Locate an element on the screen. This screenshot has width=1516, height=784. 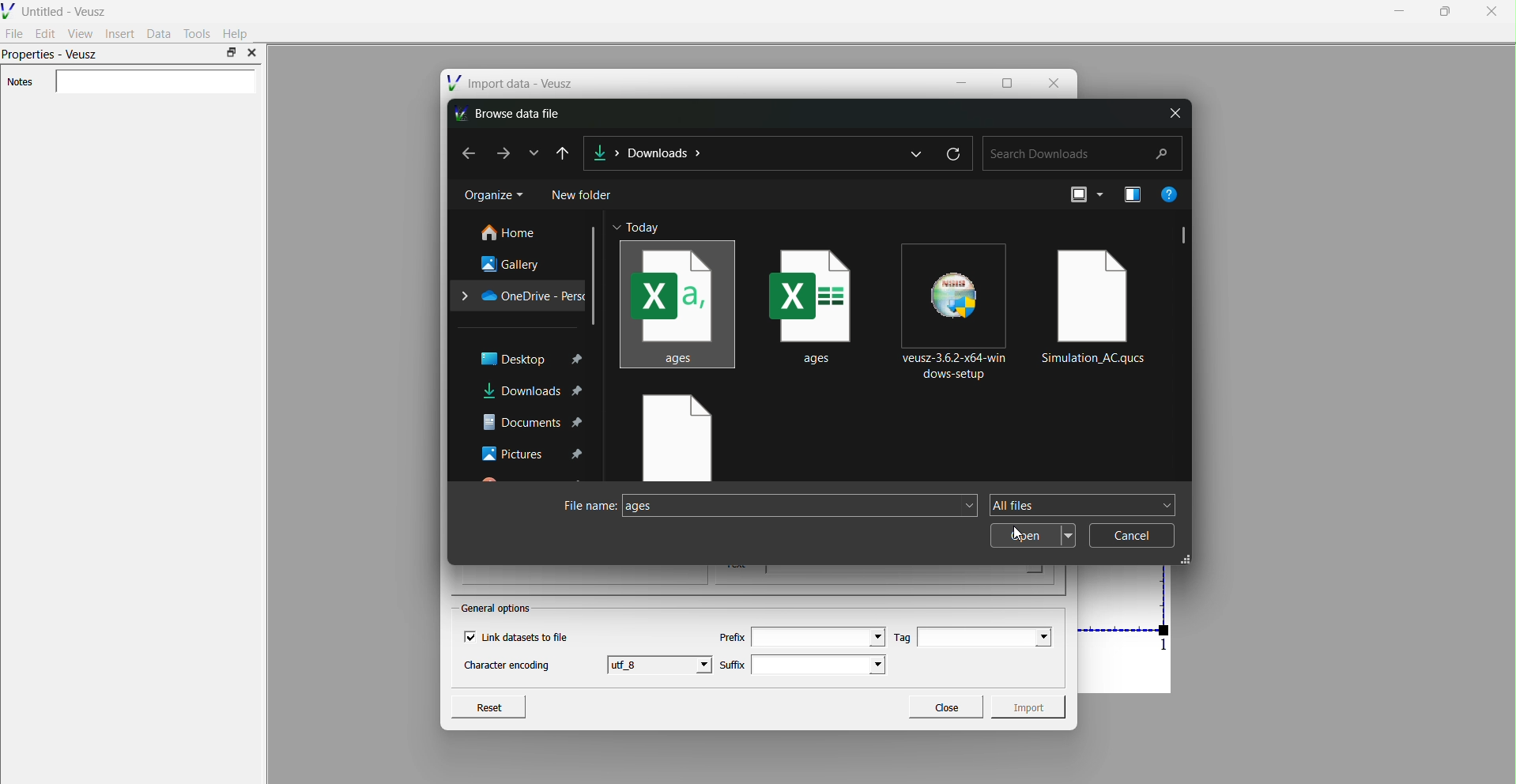
minimise is located at coordinates (1400, 10).